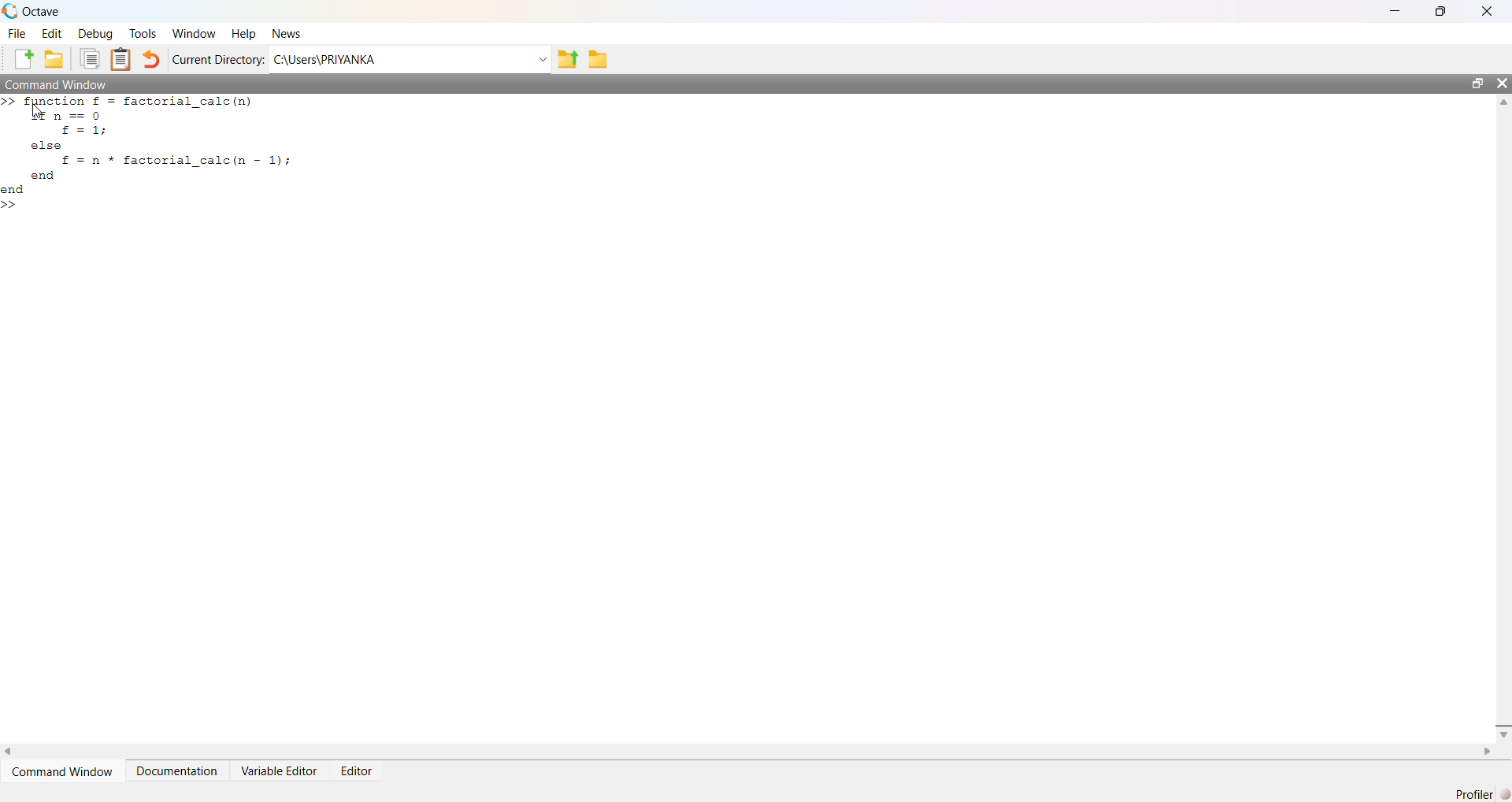 The width and height of the screenshot is (1512, 802). Describe the element at coordinates (65, 771) in the screenshot. I see `Command Window` at that location.